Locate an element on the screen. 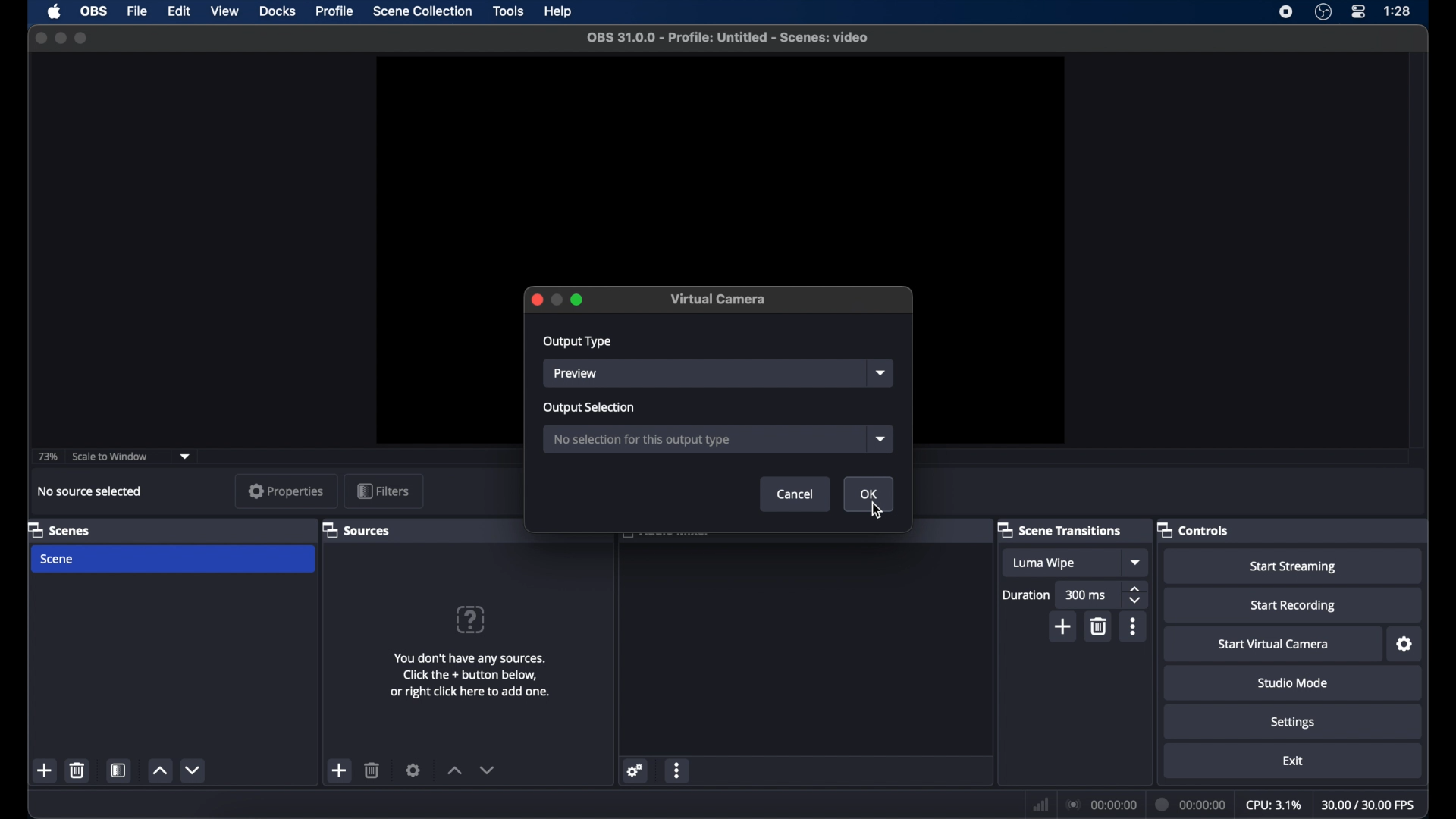 The image size is (1456, 819). more options is located at coordinates (1132, 626).